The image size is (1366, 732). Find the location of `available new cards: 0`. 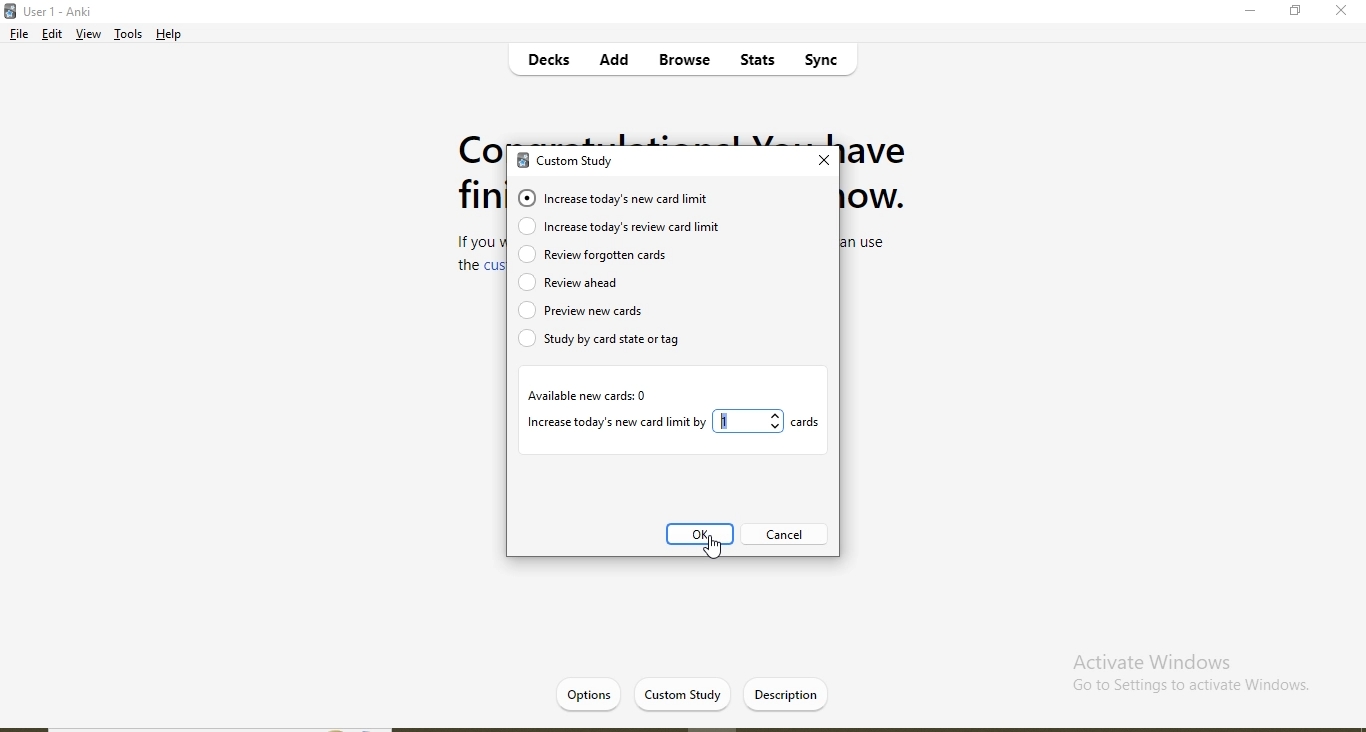

available new cards: 0 is located at coordinates (587, 396).